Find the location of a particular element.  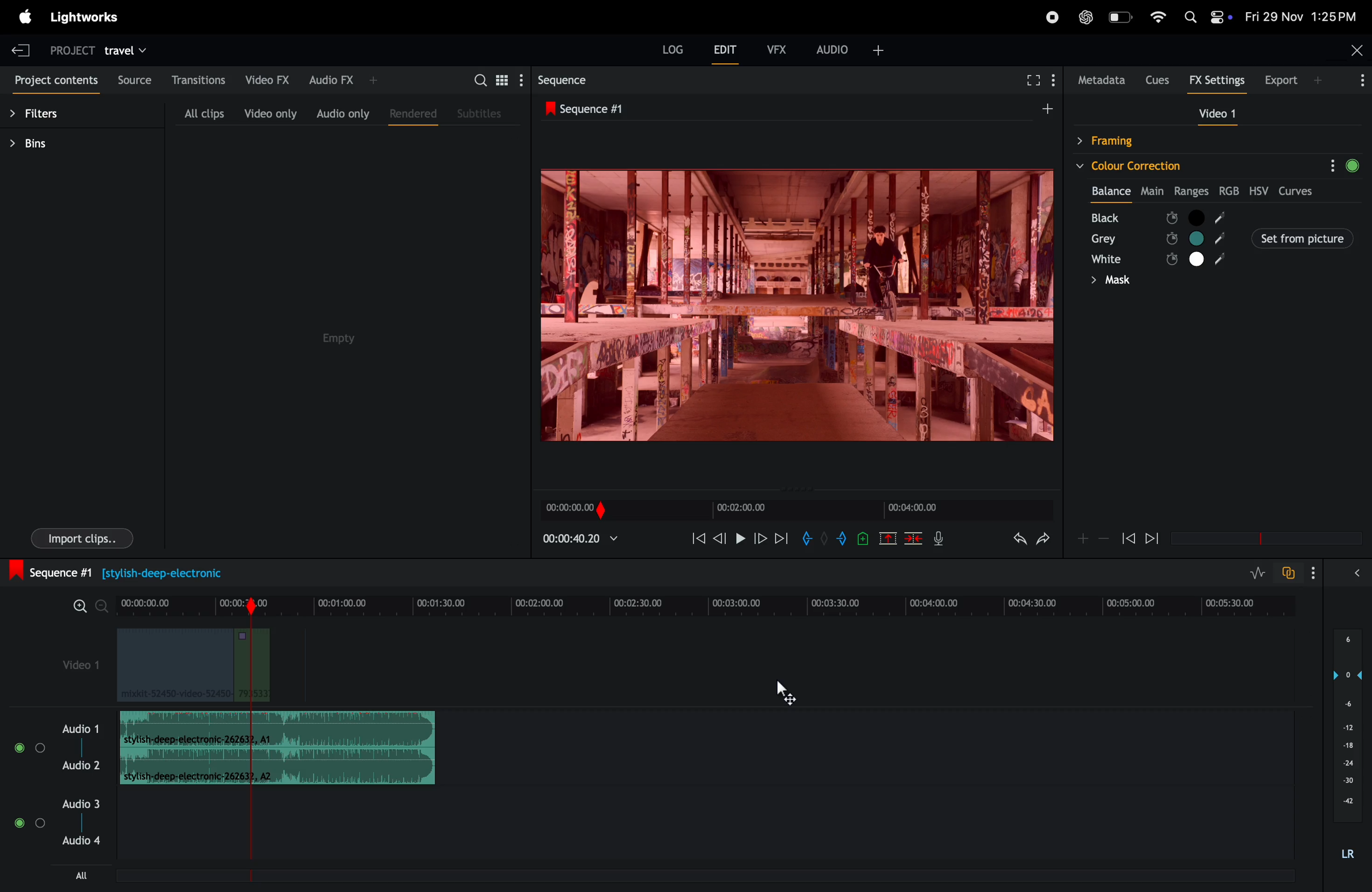

rewind is located at coordinates (1128, 539).